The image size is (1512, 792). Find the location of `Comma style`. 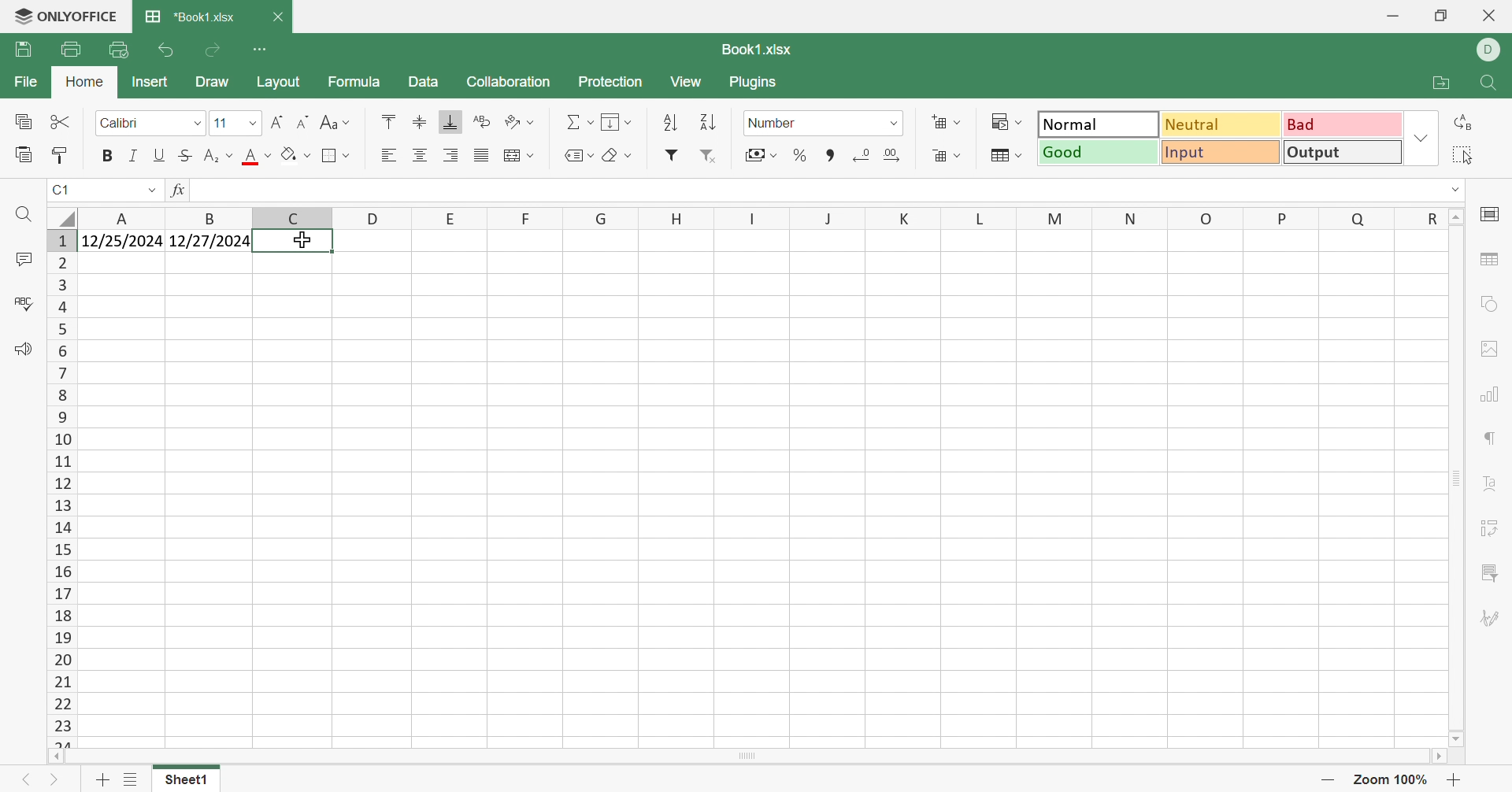

Comma style is located at coordinates (830, 156).